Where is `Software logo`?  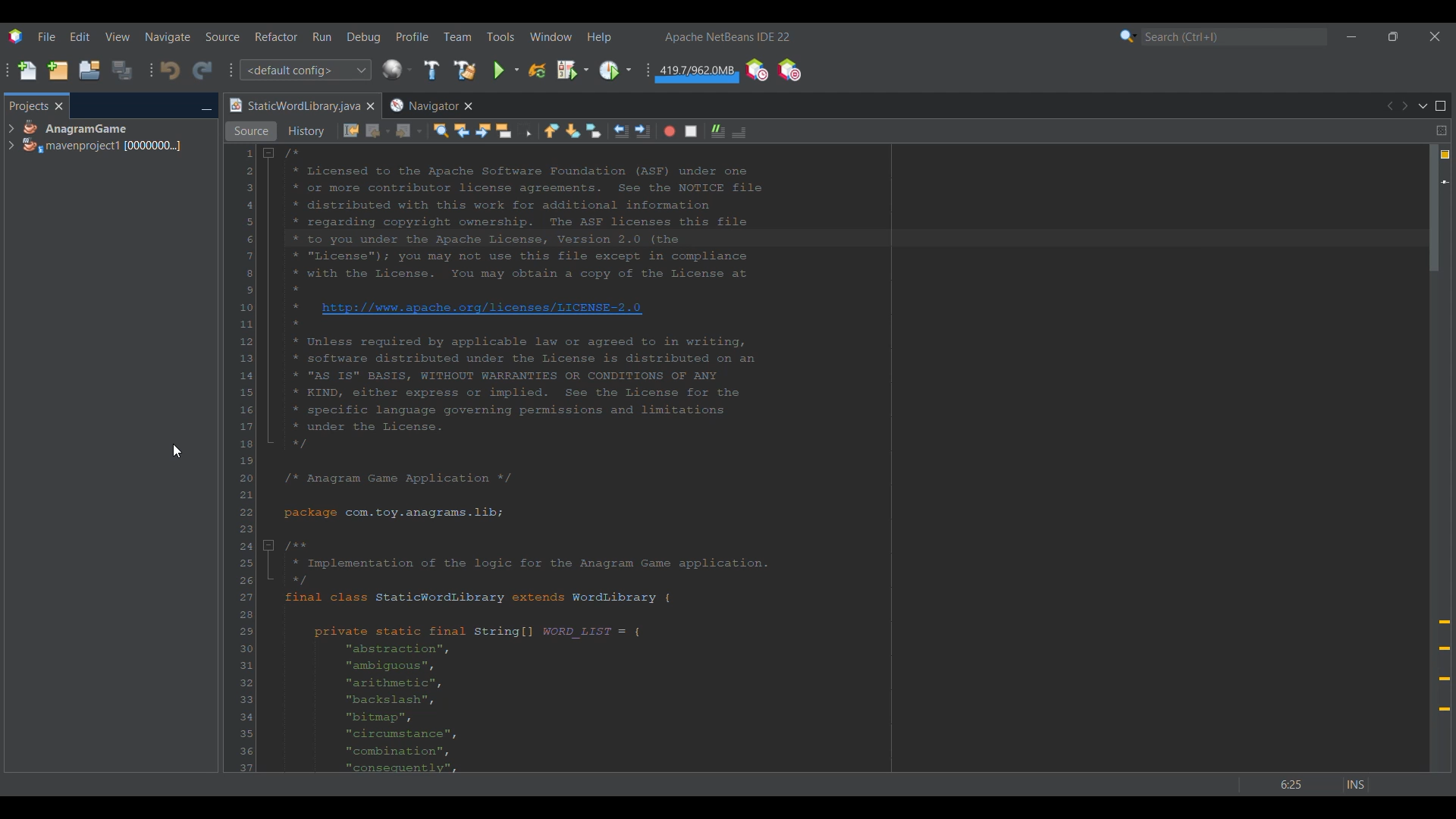 Software logo is located at coordinates (15, 36).